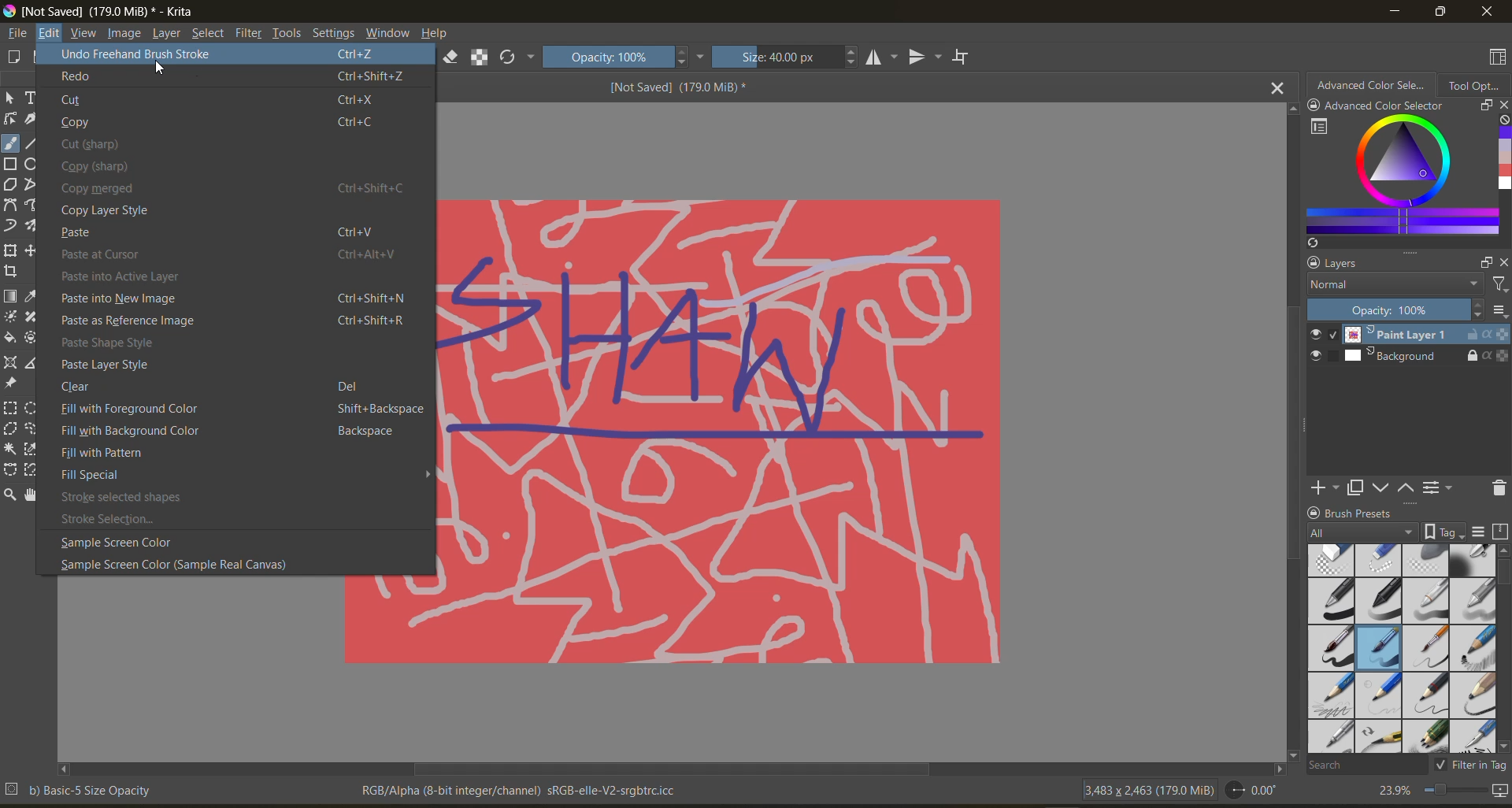 This screenshot has height=808, width=1512. I want to click on paste into new image   Ctrl+Shift+N, so click(235, 299).